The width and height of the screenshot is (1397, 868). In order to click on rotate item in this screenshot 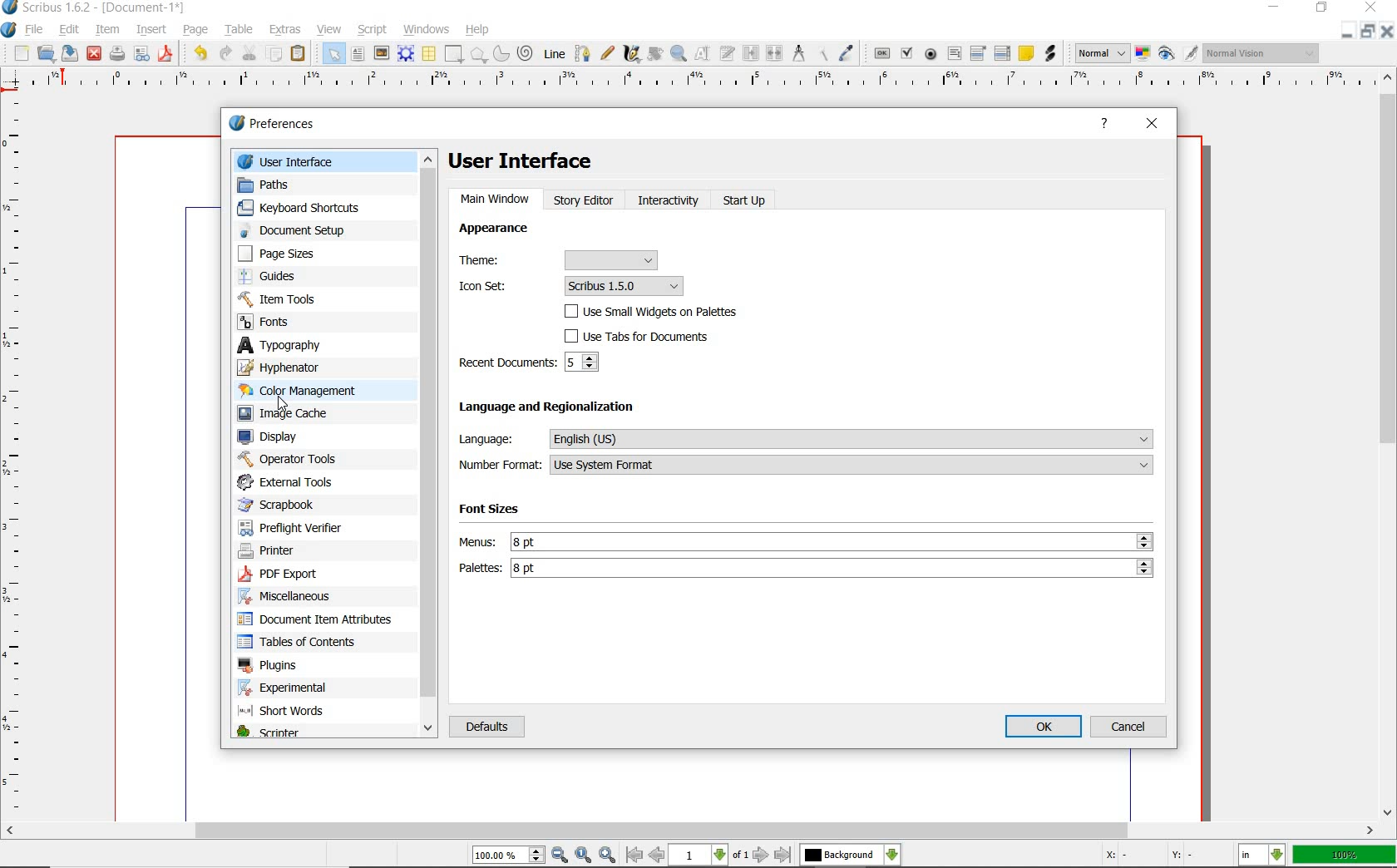, I will do `click(655, 54)`.